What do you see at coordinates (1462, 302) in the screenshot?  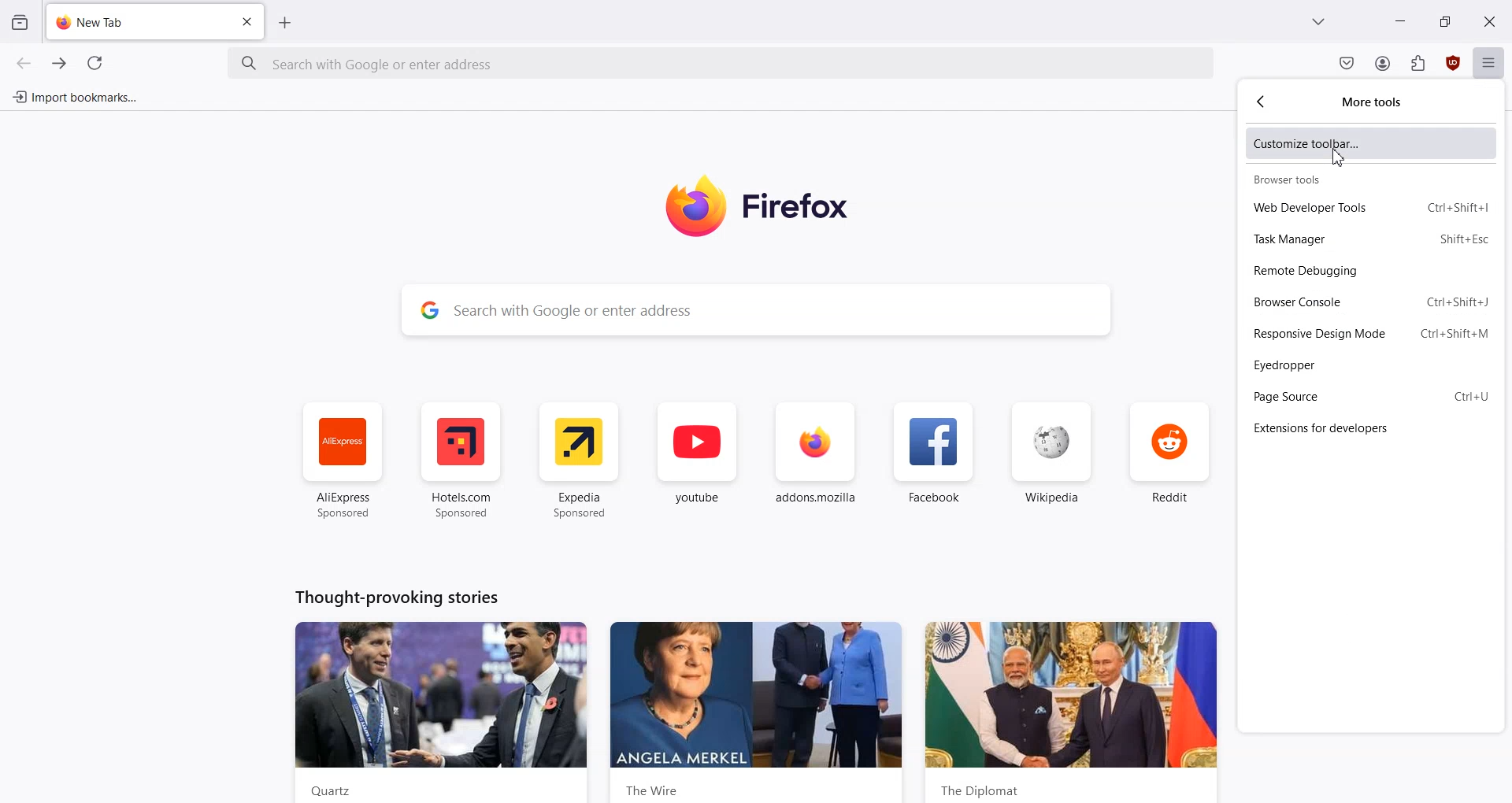 I see `Shortcut key` at bounding box center [1462, 302].